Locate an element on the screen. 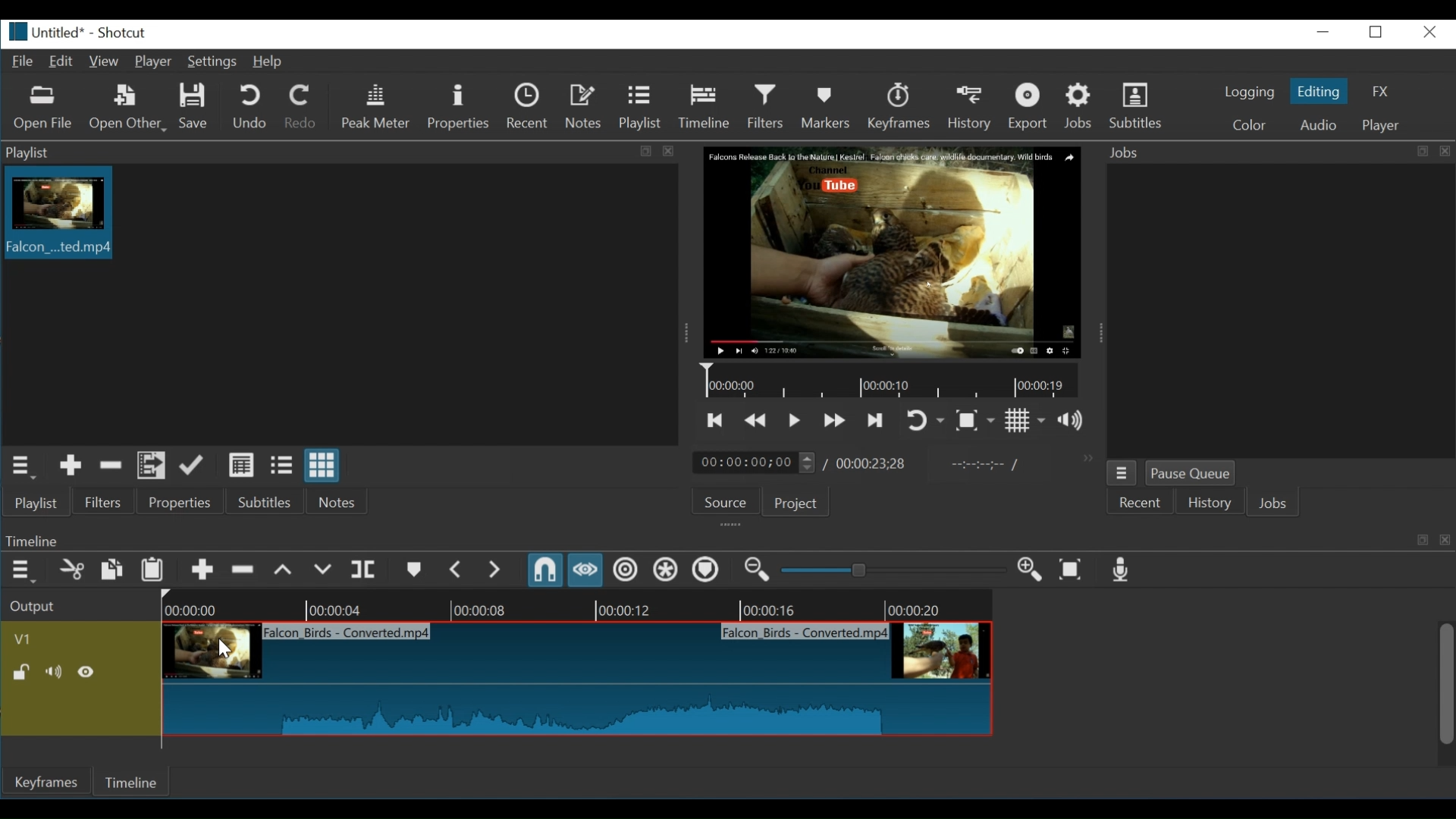 The image size is (1456, 819). Jobs Panel is located at coordinates (1277, 152).